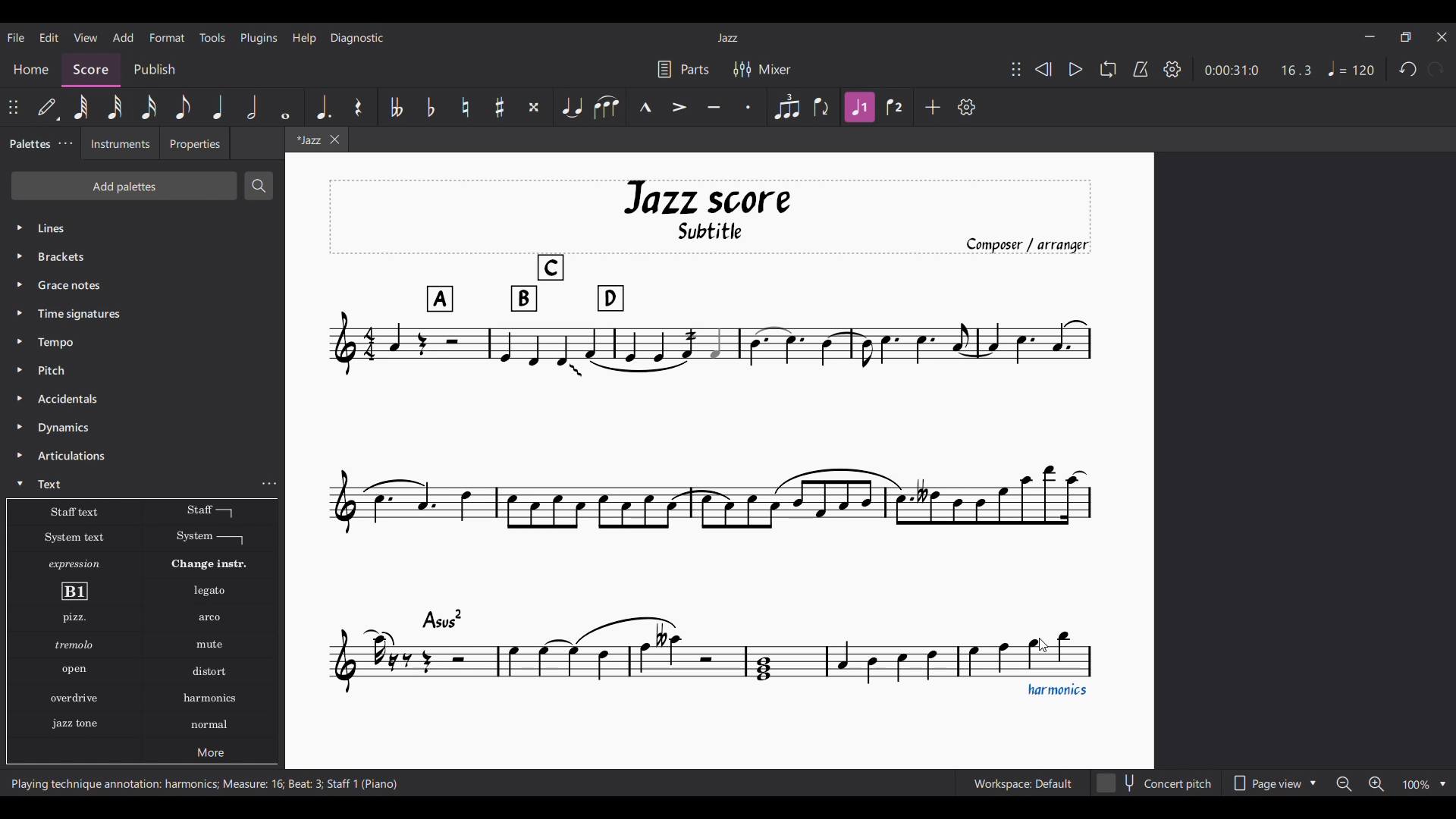 The width and height of the screenshot is (1456, 819). I want to click on , so click(68, 284).